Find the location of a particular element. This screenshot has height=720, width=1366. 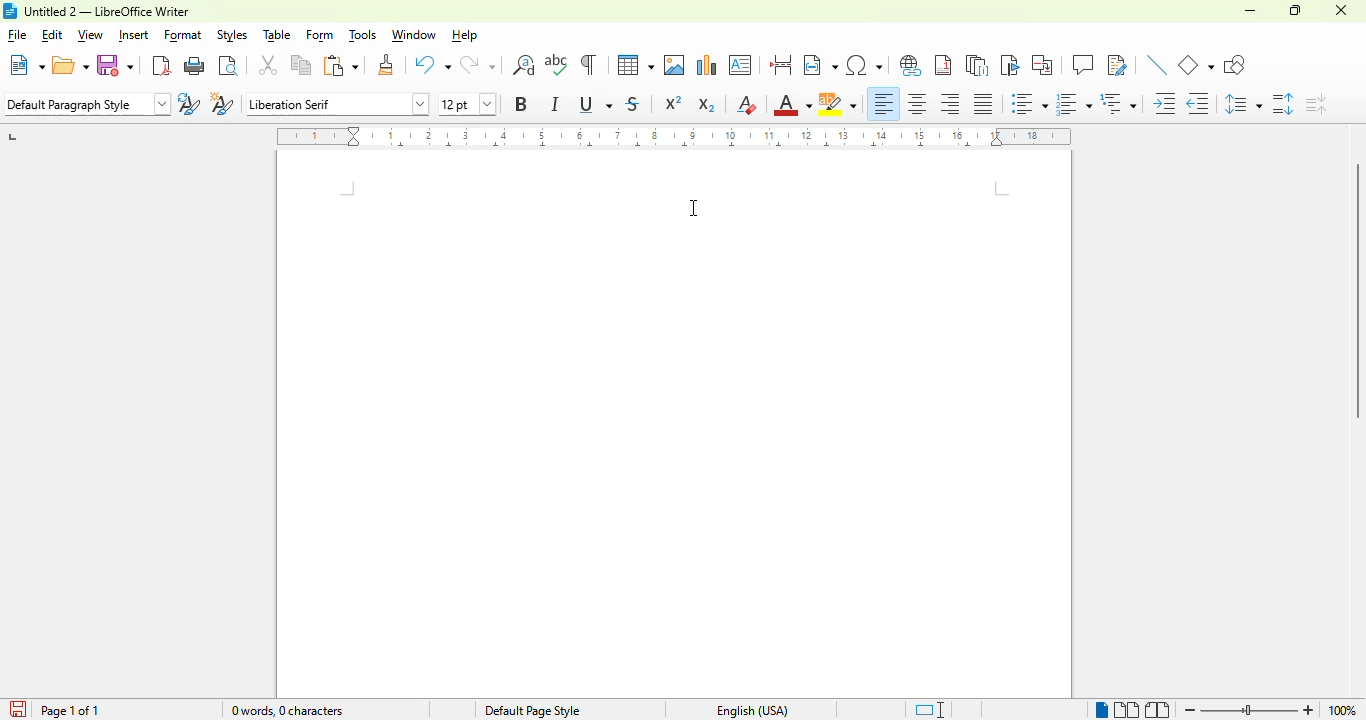

insert comment is located at coordinates (1083, 64).